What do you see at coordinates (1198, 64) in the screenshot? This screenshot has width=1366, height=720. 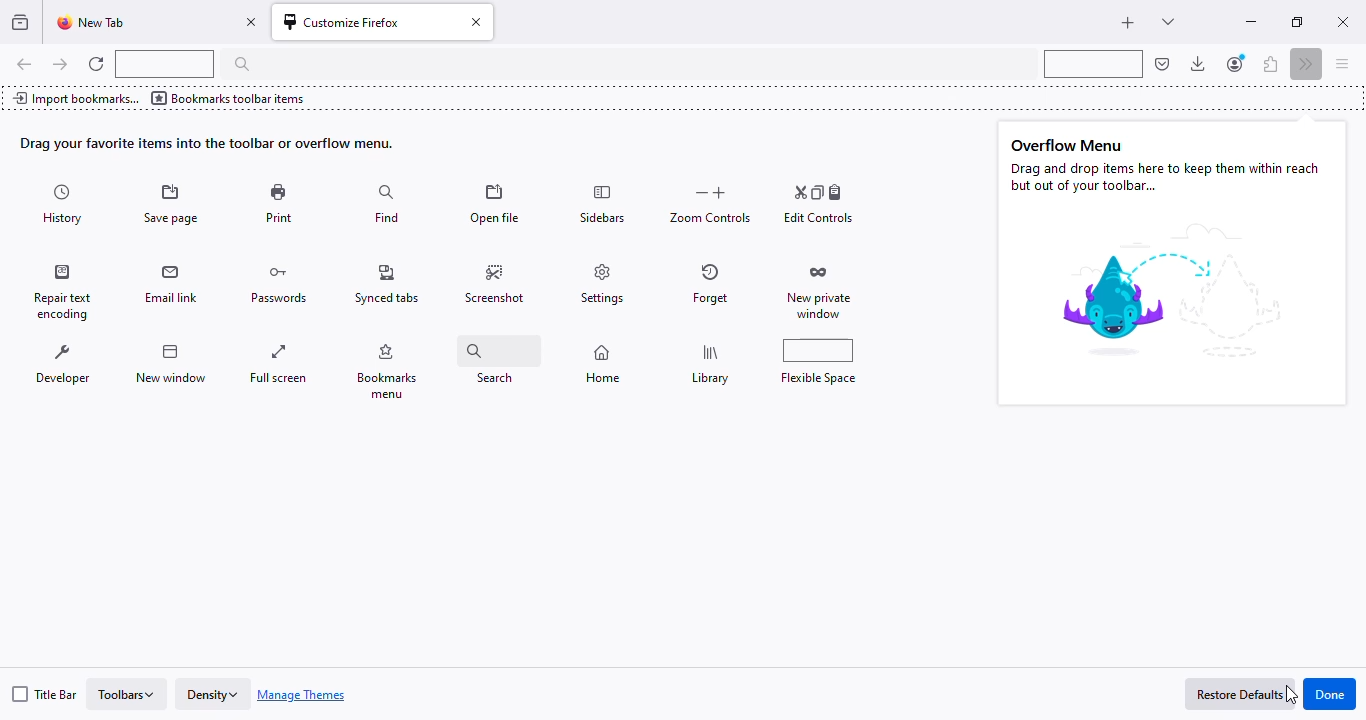 I see `downloads` at bounding box center [1198, 64].